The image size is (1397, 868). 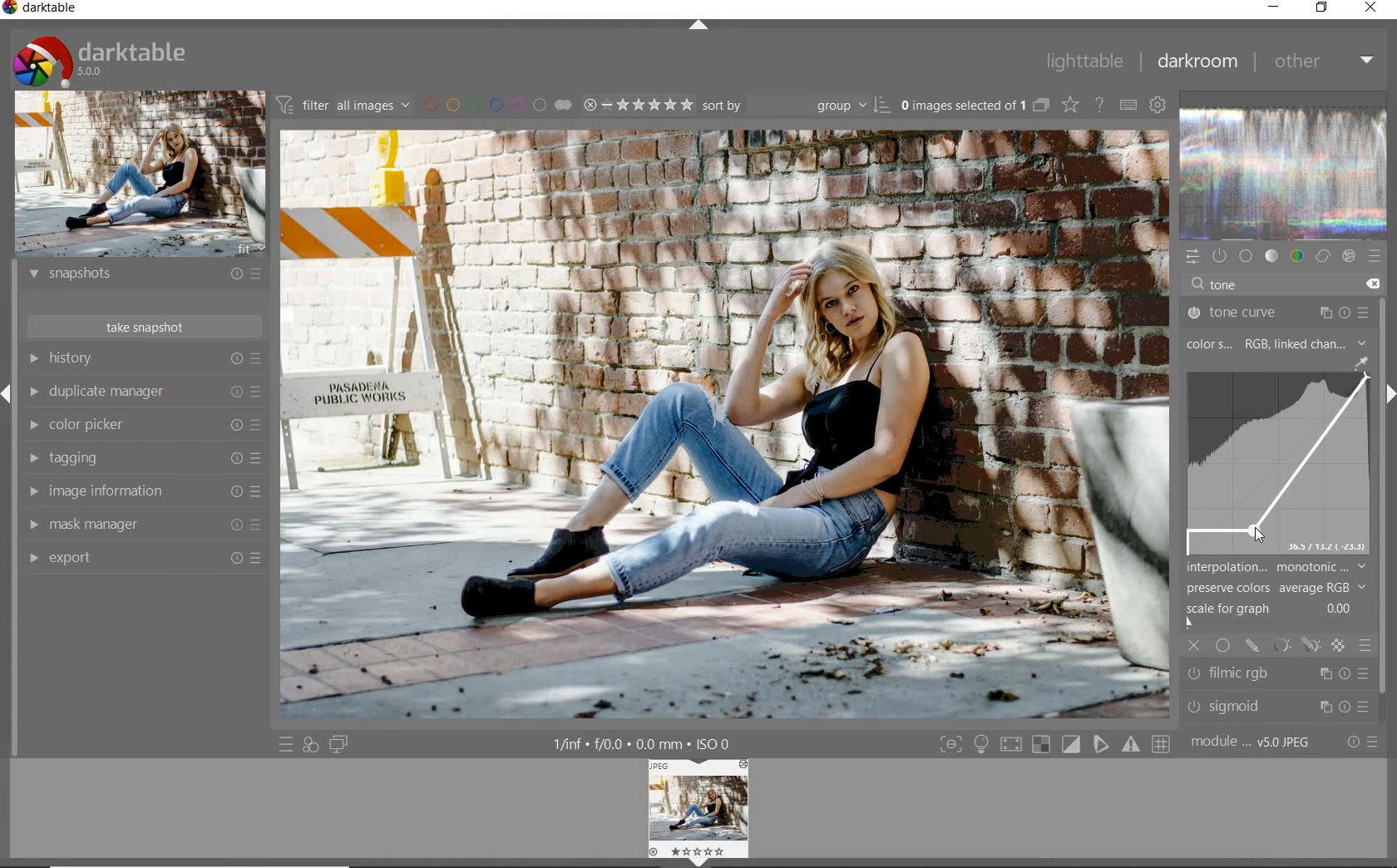 I want to click on tagging, so click(x=144, y=457).